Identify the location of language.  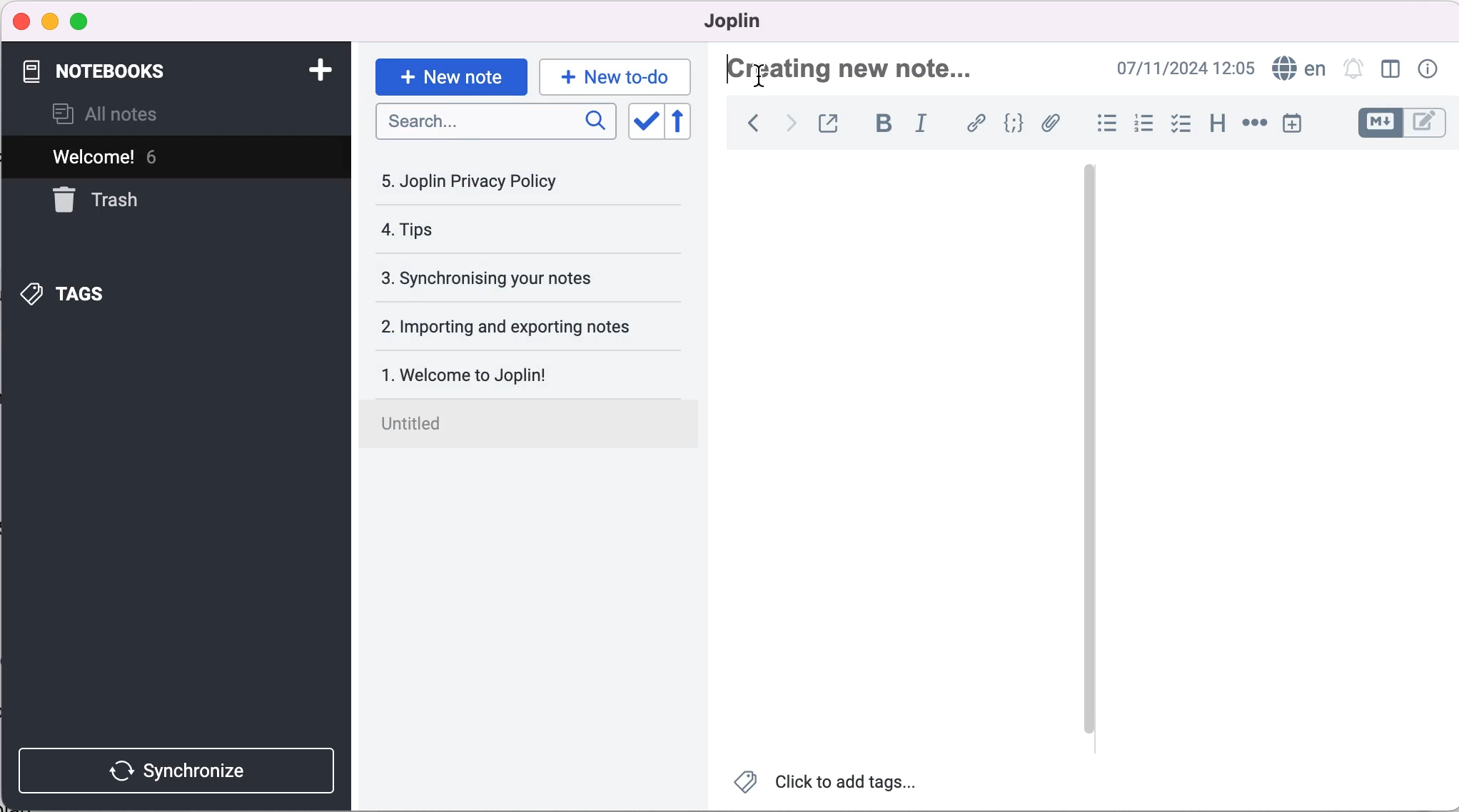
(1298, 70).